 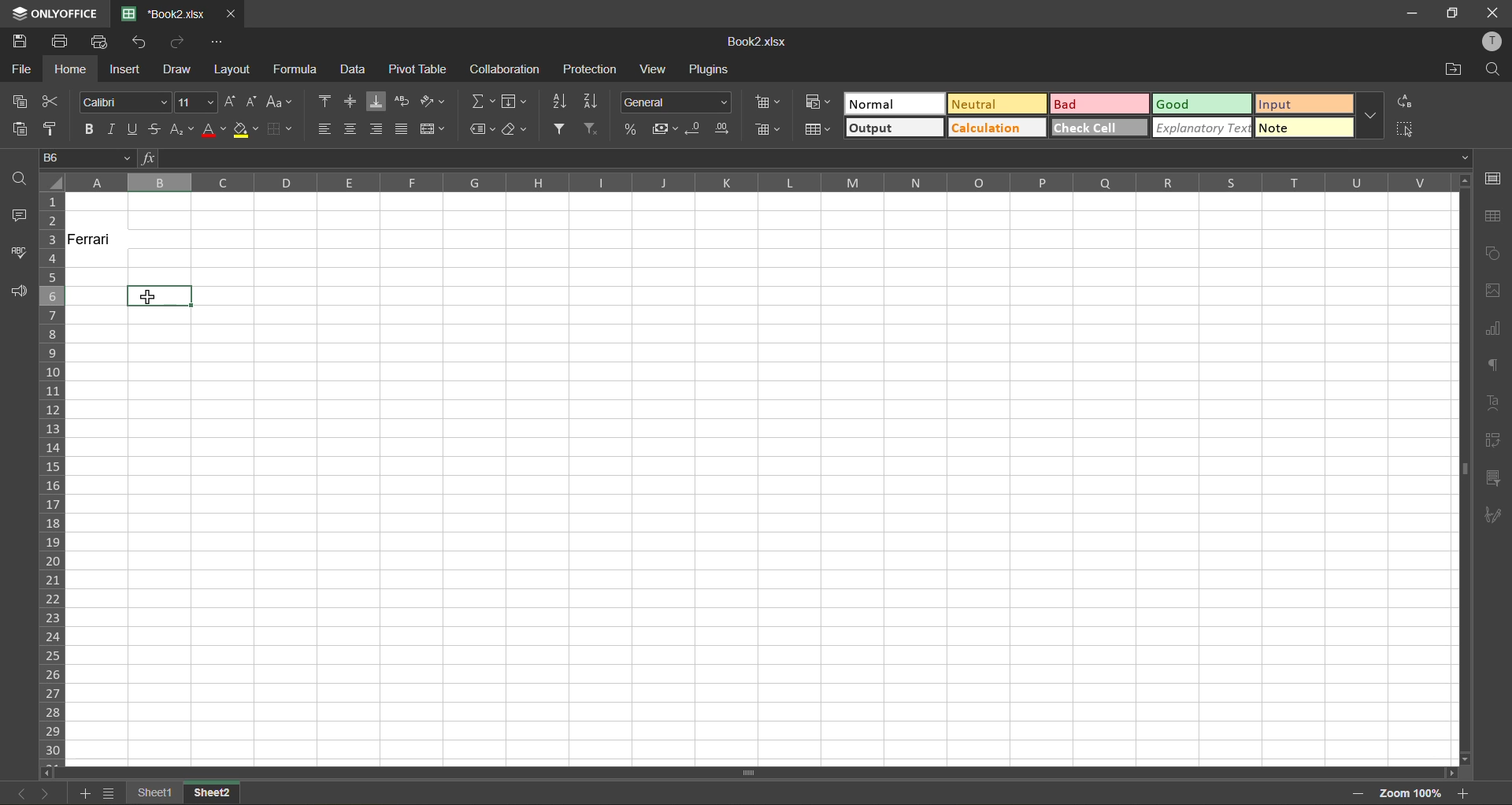 What do you see at coordinates (350, 101) in the screenshot?
I see `align middle` at bounding box center [350, 101].